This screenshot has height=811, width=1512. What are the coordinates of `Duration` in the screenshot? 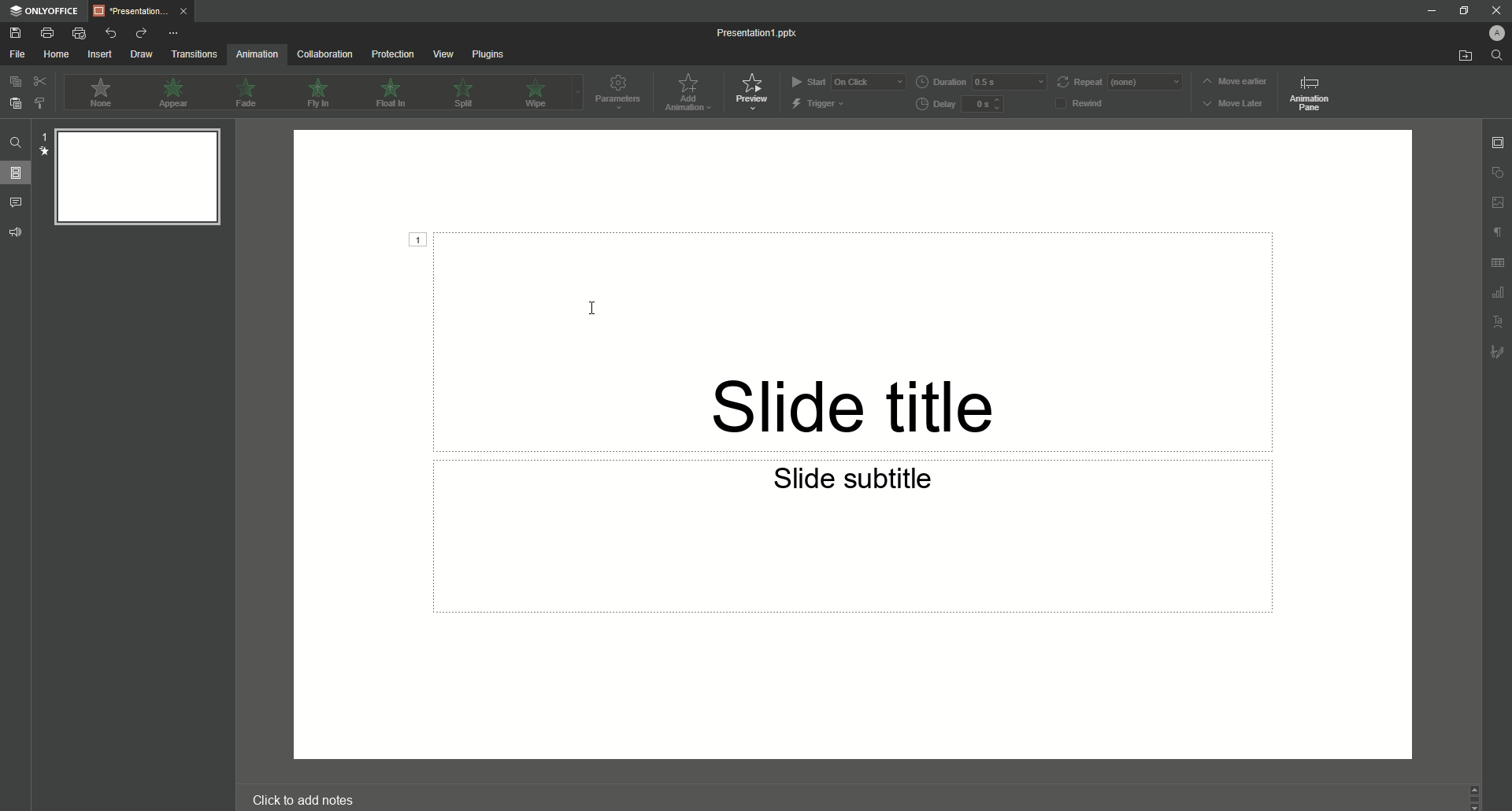 It's located at (980, 81).